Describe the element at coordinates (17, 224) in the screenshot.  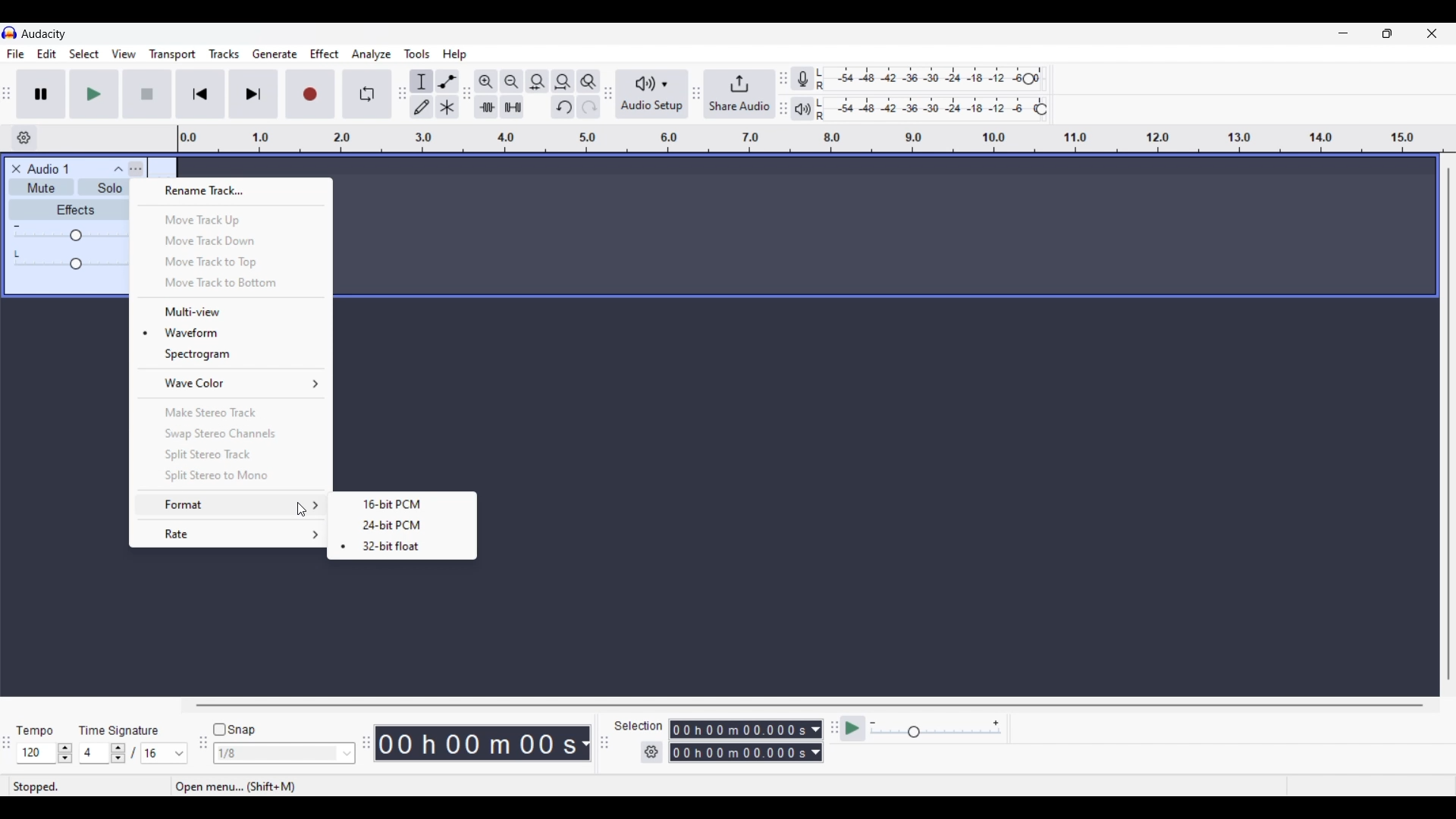
I see `-` at that location.